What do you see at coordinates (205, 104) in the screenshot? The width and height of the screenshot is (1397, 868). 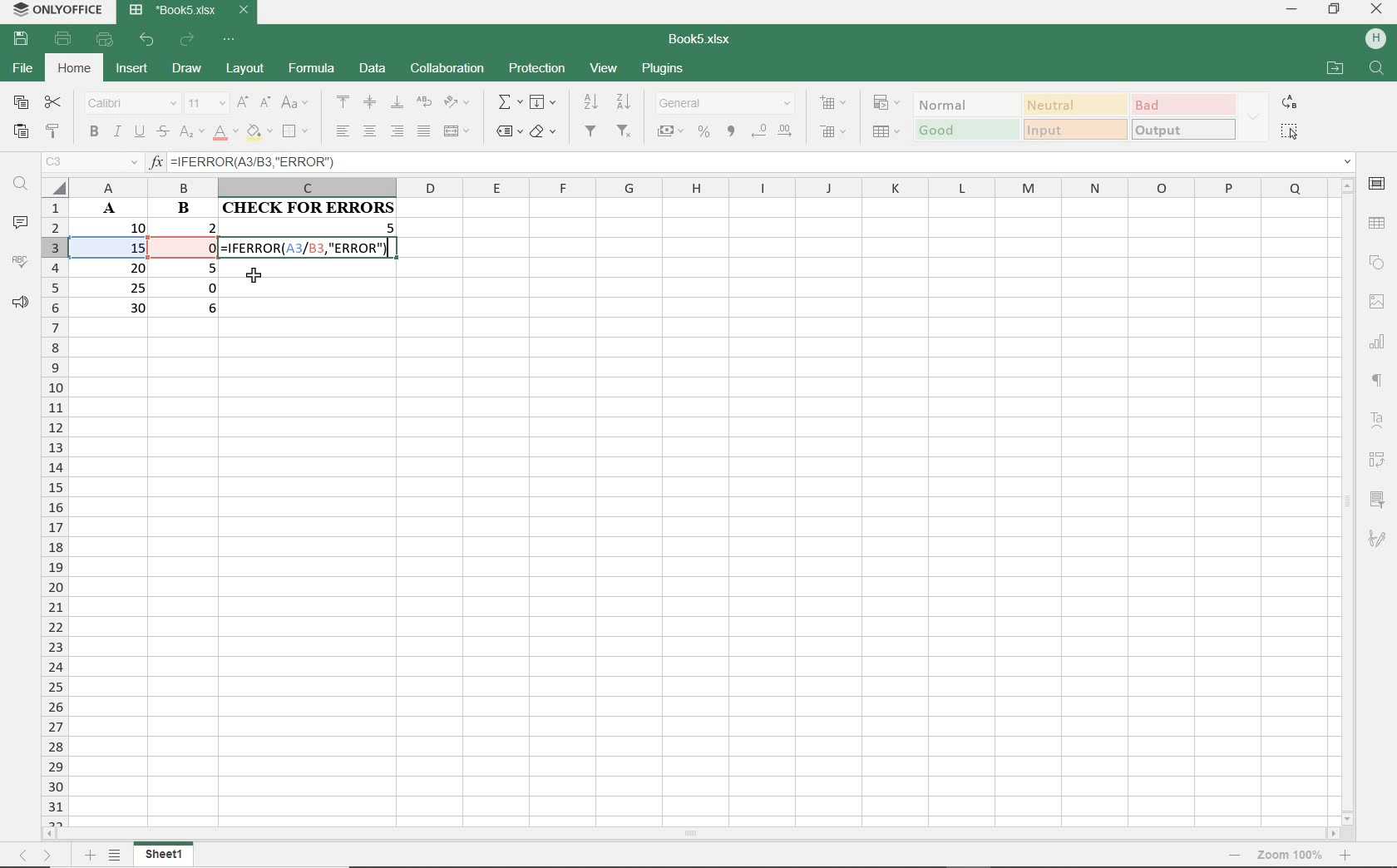 I see `FONT SIZE` at bounding box center [205, 104].